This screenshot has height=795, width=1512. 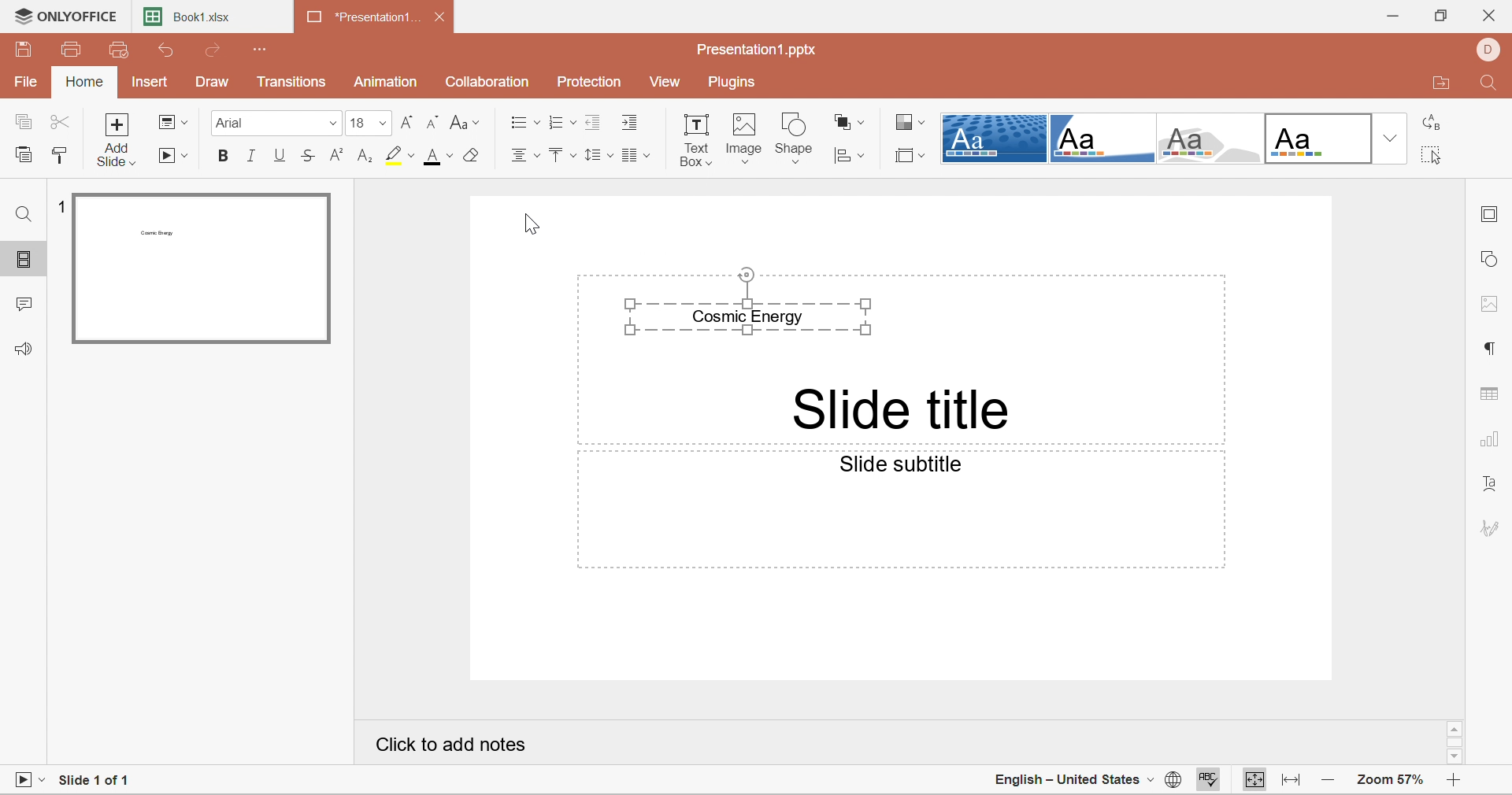 I want to click on Slide 1, so click(x=200, y=269).